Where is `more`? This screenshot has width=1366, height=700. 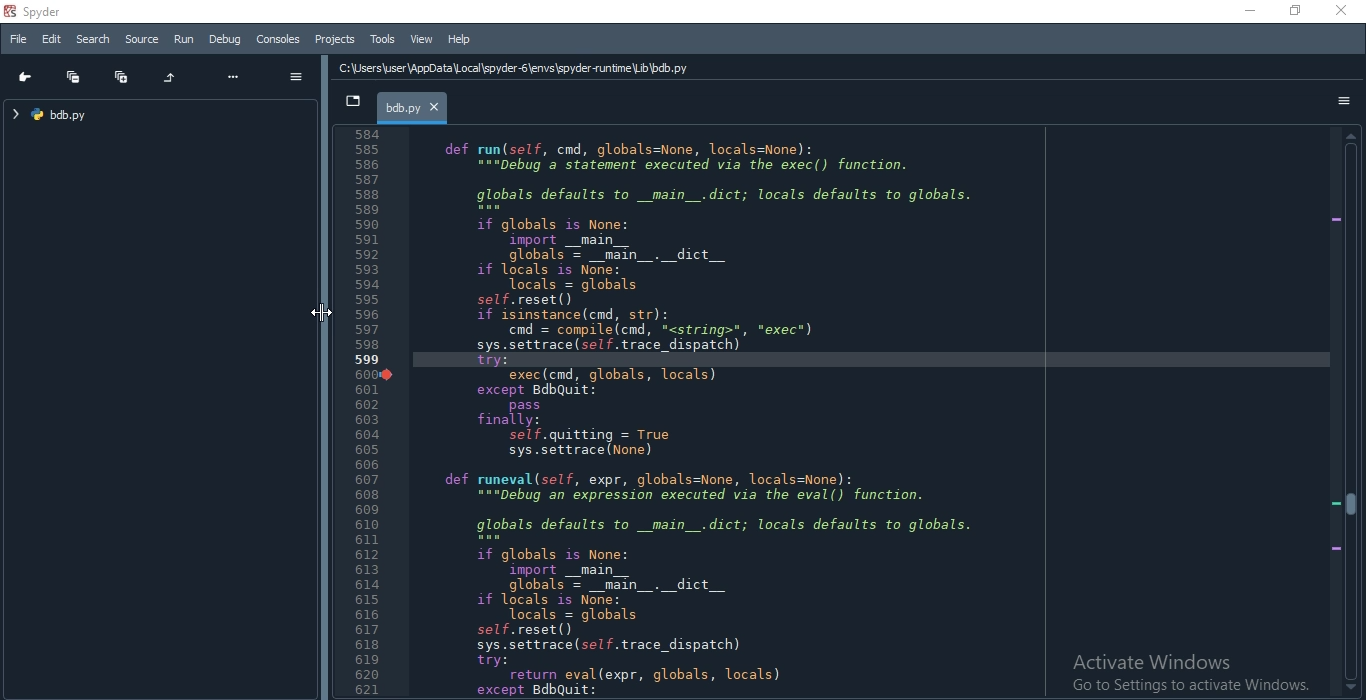 more is located at coordinates (234, 76).